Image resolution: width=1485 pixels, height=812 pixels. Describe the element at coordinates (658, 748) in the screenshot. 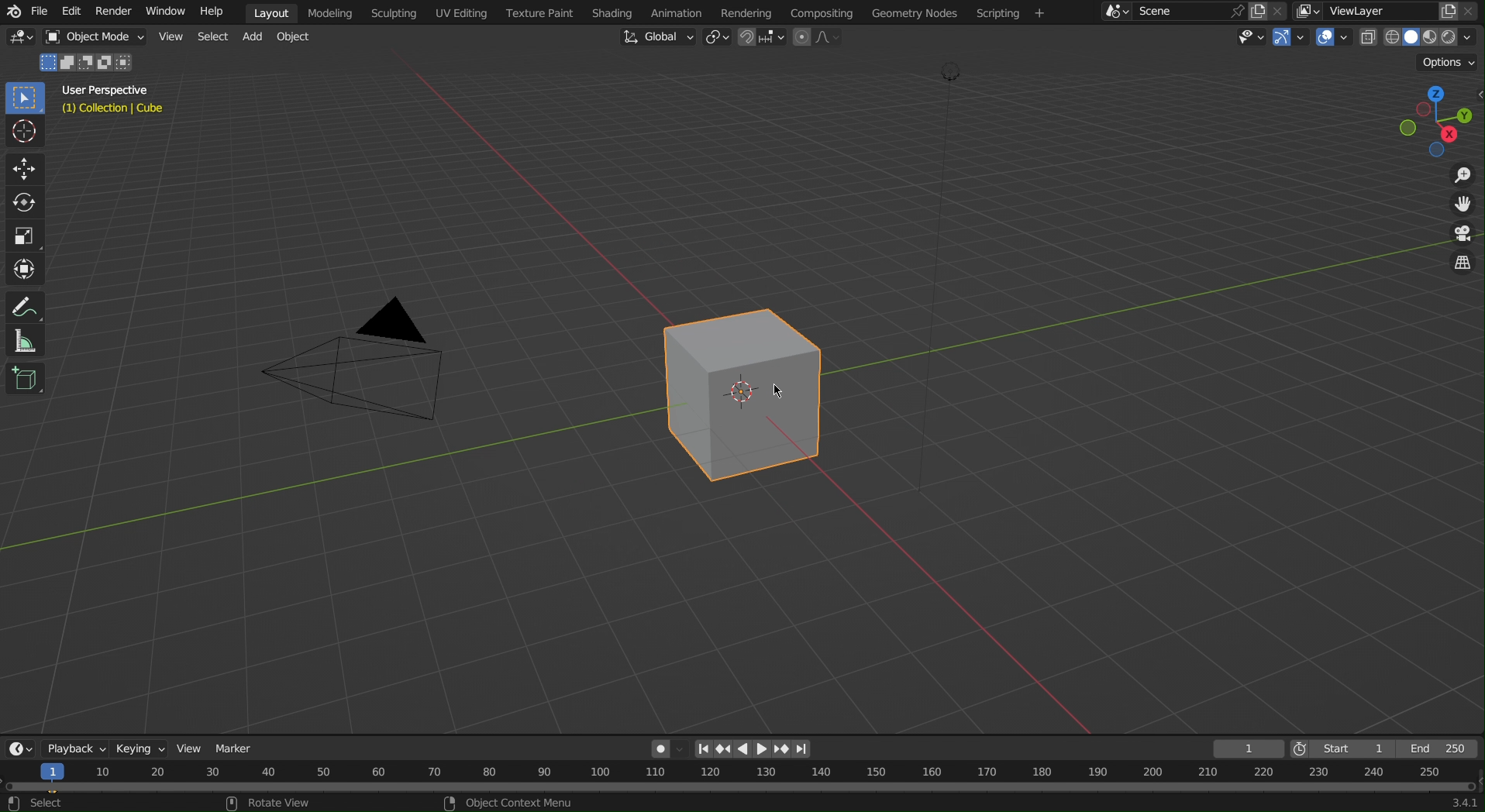

I see `Auto Keying` at that location.